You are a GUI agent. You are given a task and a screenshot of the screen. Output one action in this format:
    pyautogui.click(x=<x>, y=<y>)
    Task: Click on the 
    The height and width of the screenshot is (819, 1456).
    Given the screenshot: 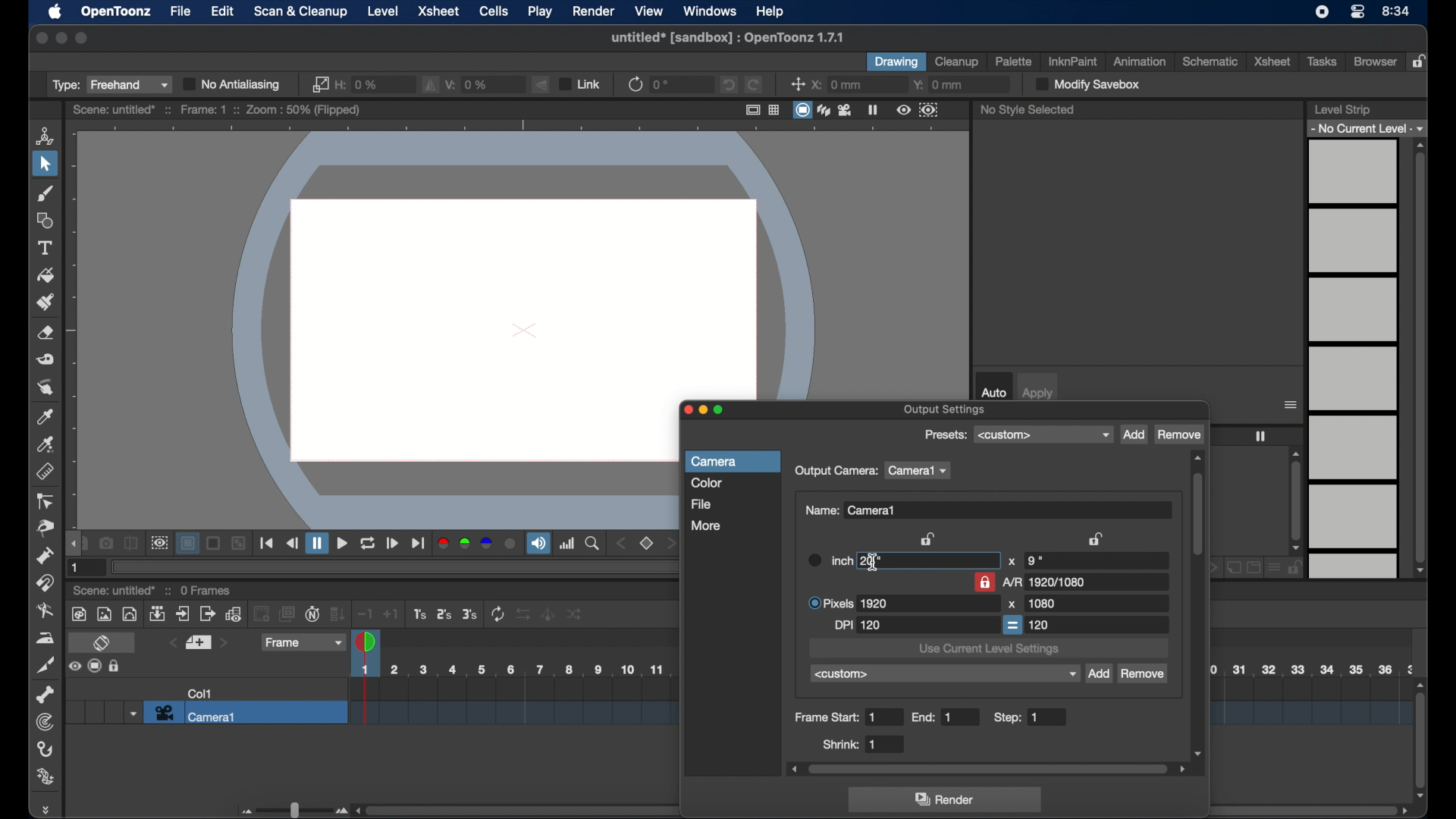 What is the action you would take?
    pyautogui.click(x=262, y=613)
    